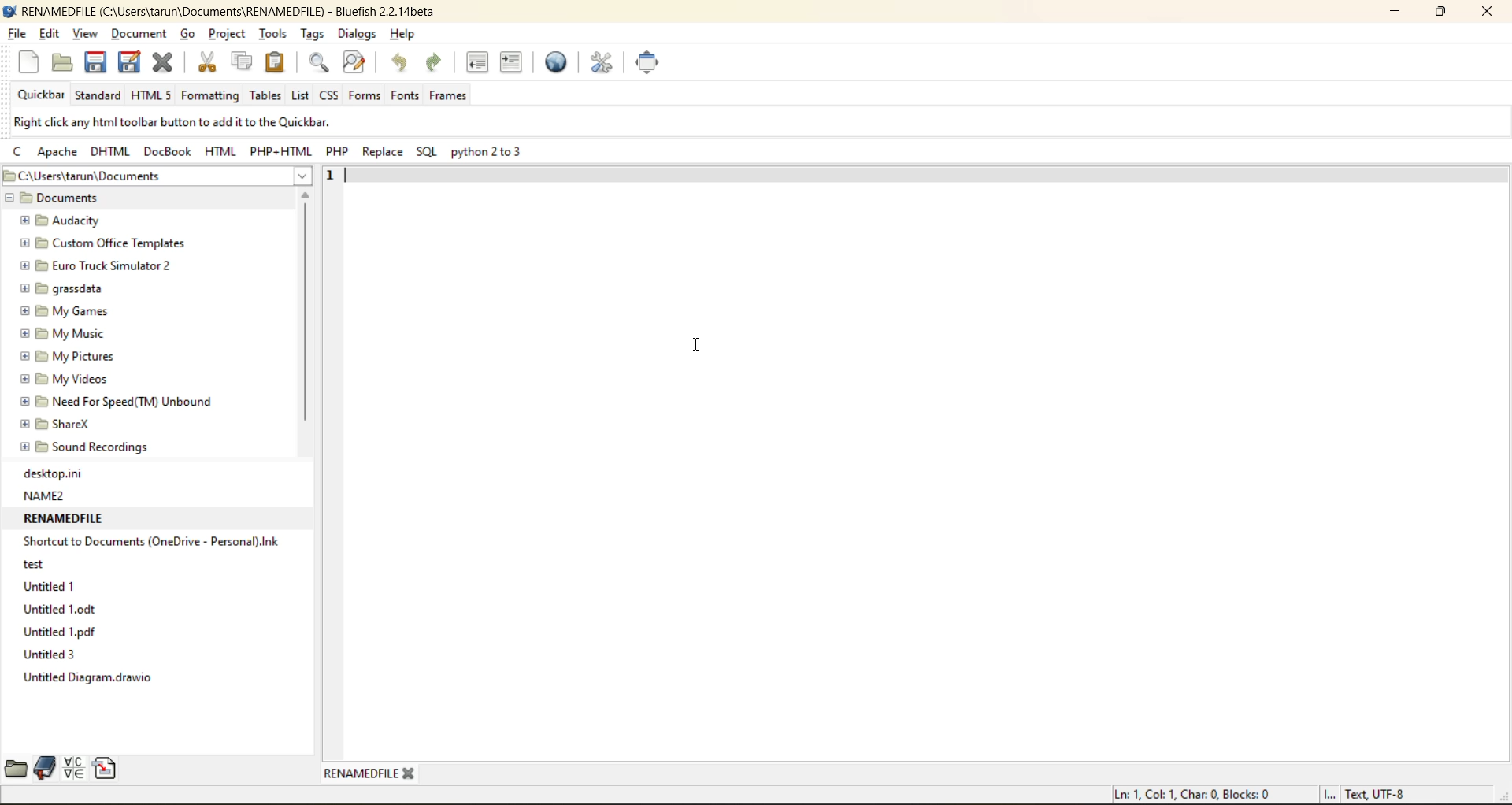 The image size is (1512, 805). What do you see at coordinates (61, 153) in the screenshot?
I see `apache` at bounding box center [61, 153].